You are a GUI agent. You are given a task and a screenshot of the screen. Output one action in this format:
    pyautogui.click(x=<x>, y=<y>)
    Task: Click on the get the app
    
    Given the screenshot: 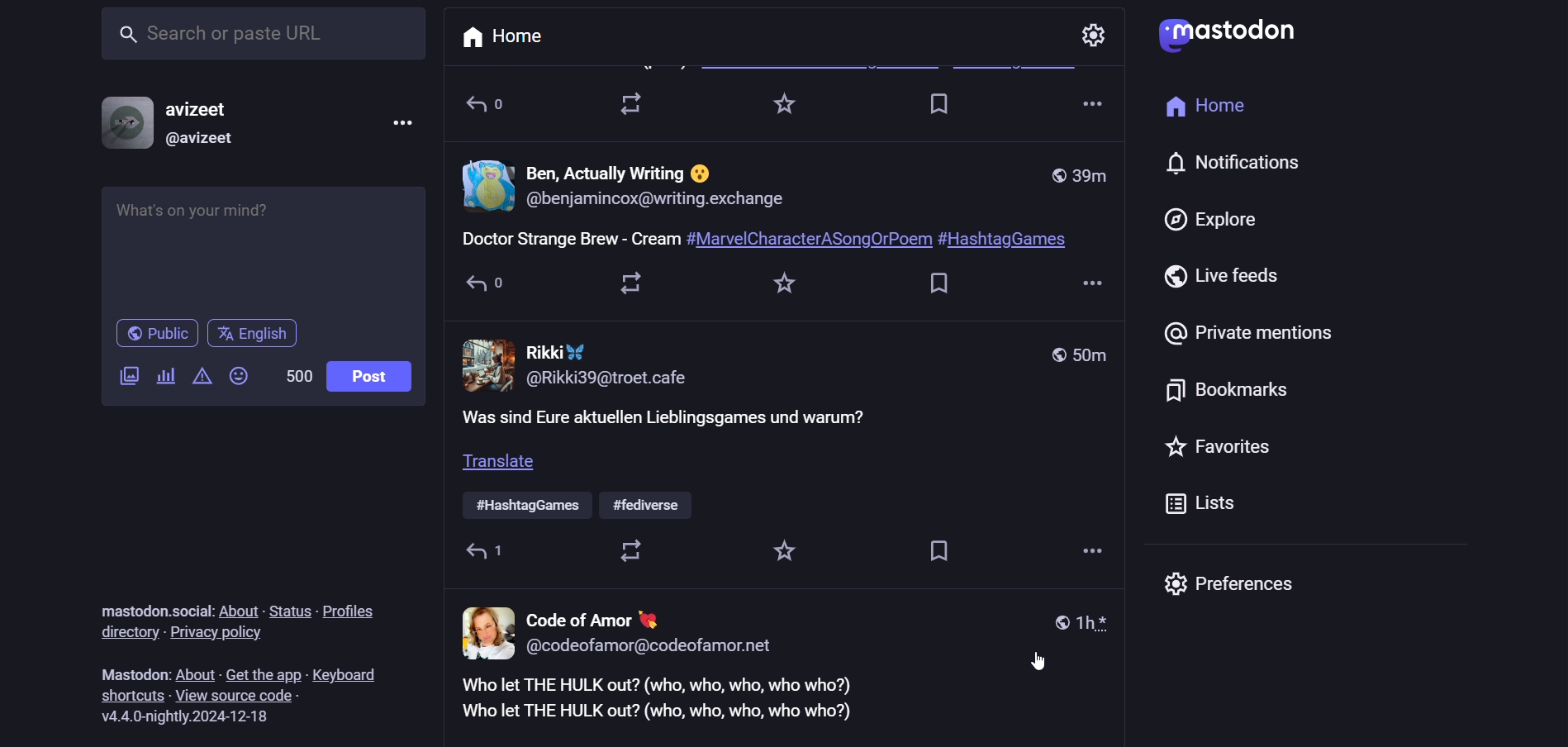 What is the action you would take?
    pyautogui.click(x=264, y=671)
    